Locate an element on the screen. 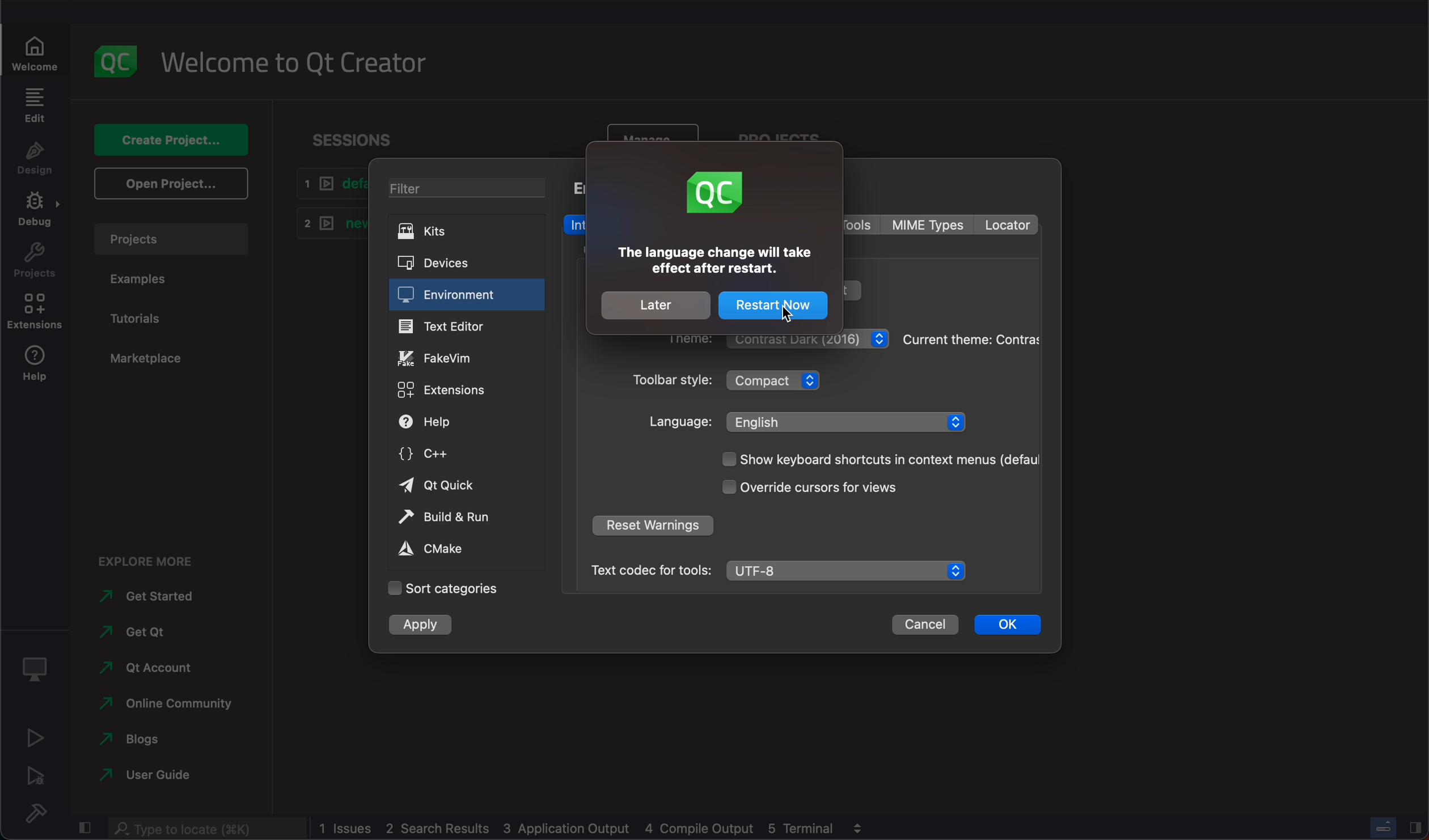 The image size is (1429, 840). locator is located at coordinates (1009, 224).